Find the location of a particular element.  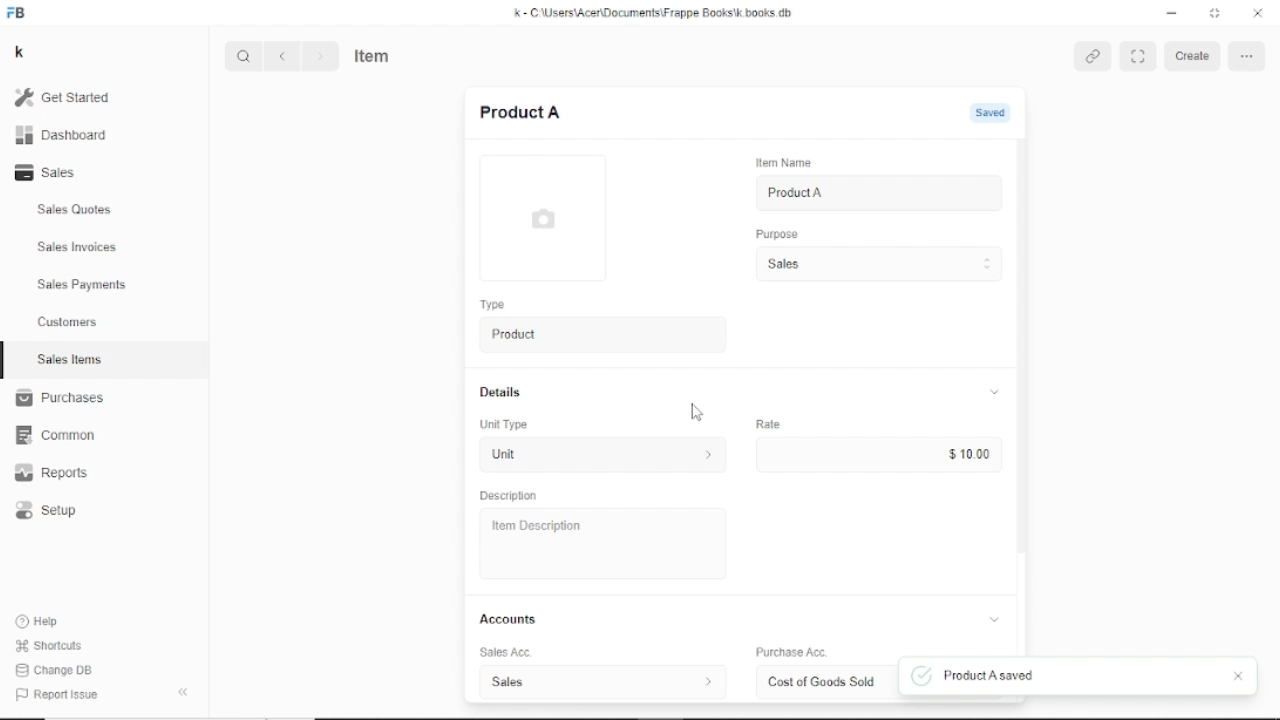

Item Description is located at coordinates (532, 526).